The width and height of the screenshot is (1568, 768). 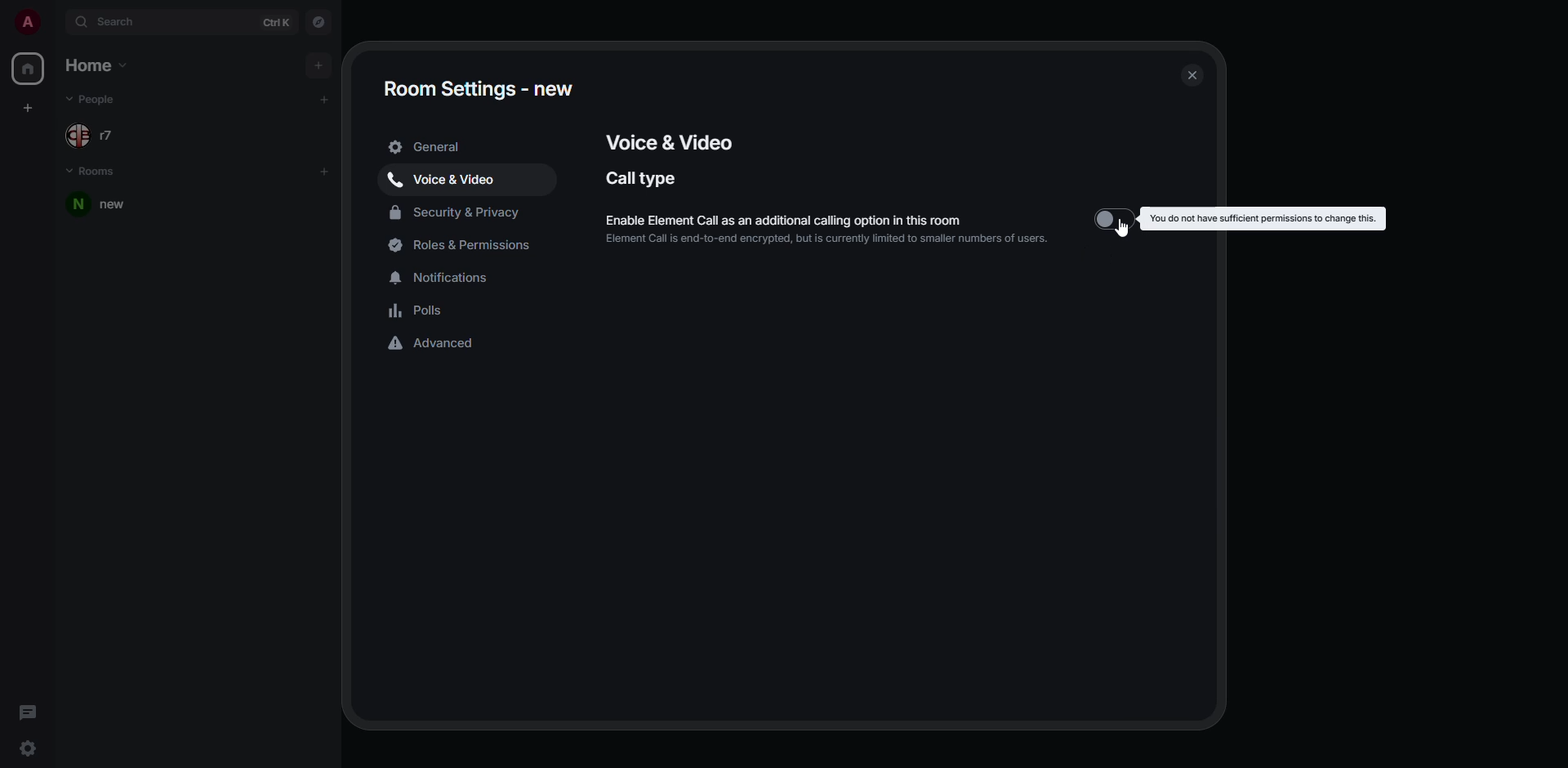 I want to click on create space, so click(x=28, y=107).